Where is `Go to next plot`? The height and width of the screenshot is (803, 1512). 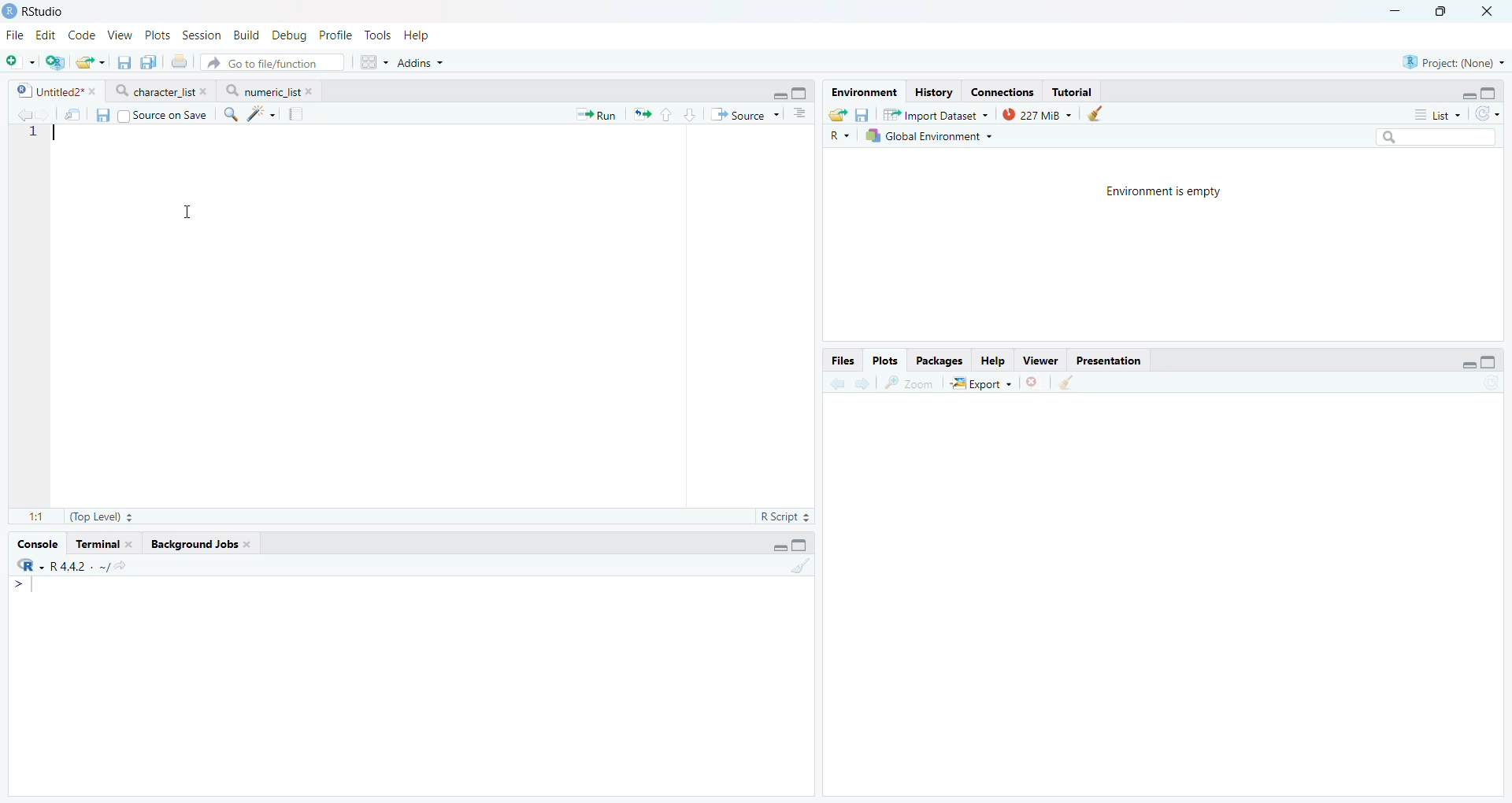 Go to next plot is located at coordinates (862, 383).